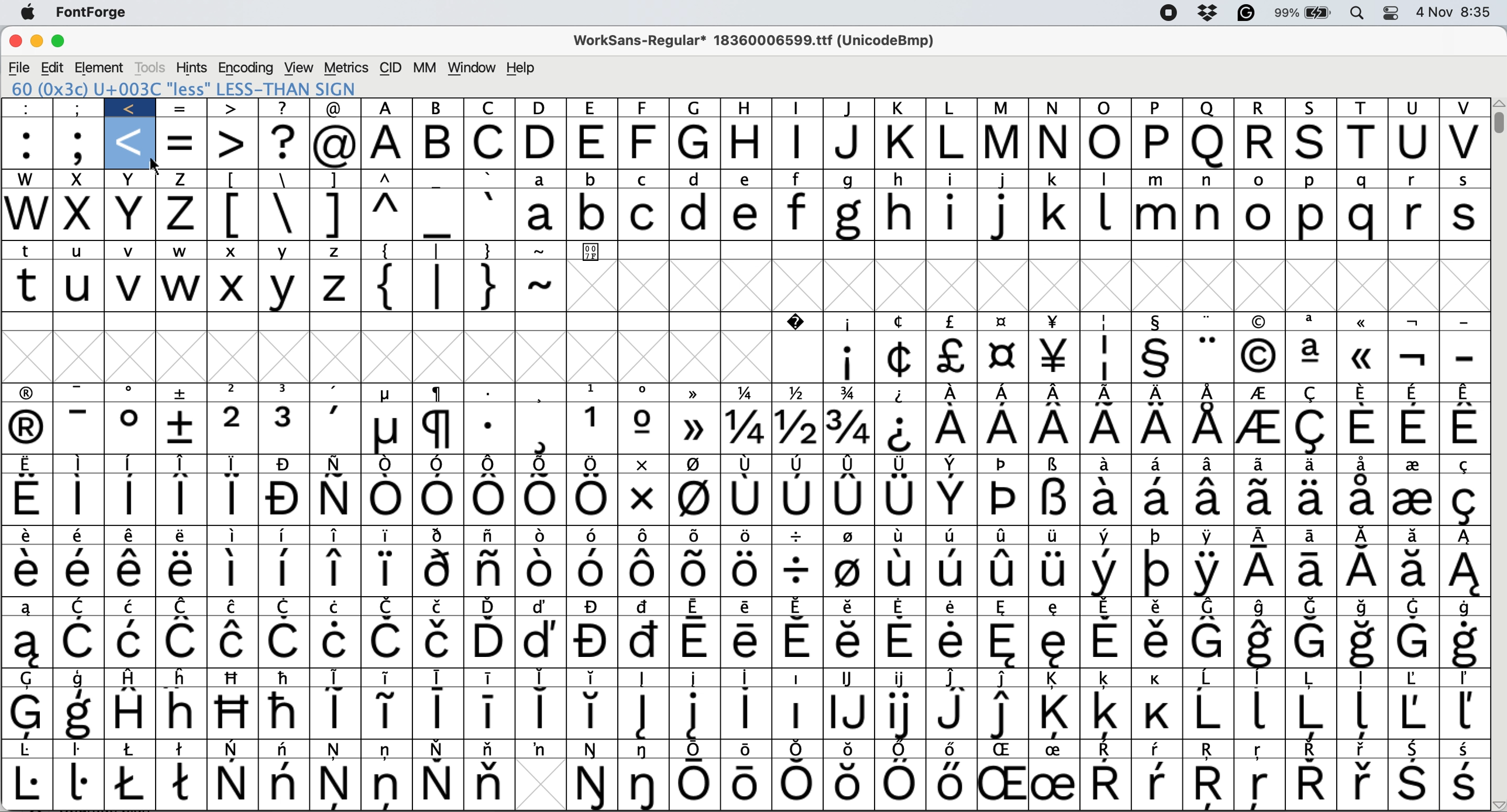  What do you see at coordinates (1209, 321) in the screenshot?
I see `Symbol` at bounding box center [1209, 321].